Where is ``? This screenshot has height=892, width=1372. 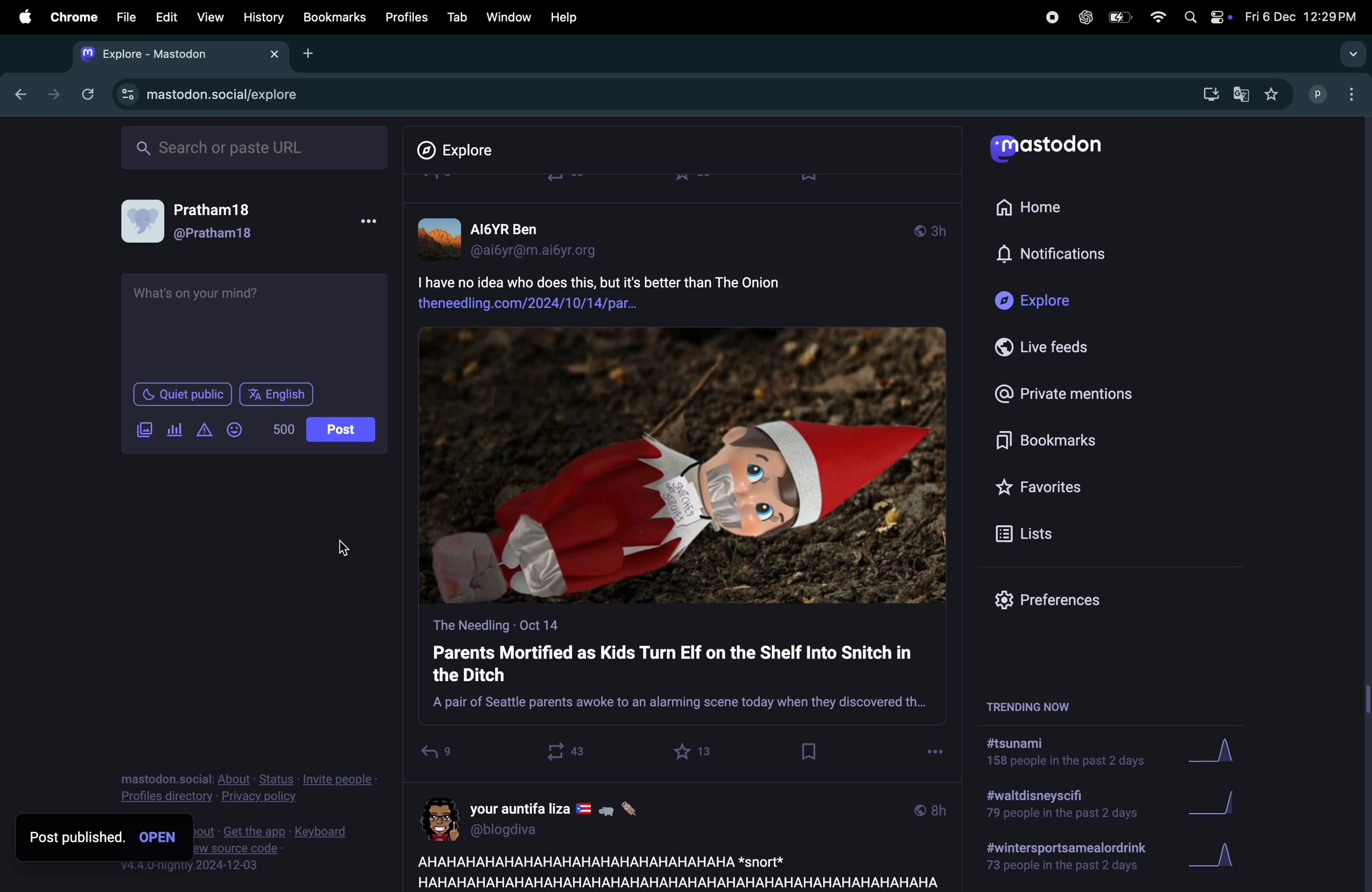  is located at coordinates (1363, 504).